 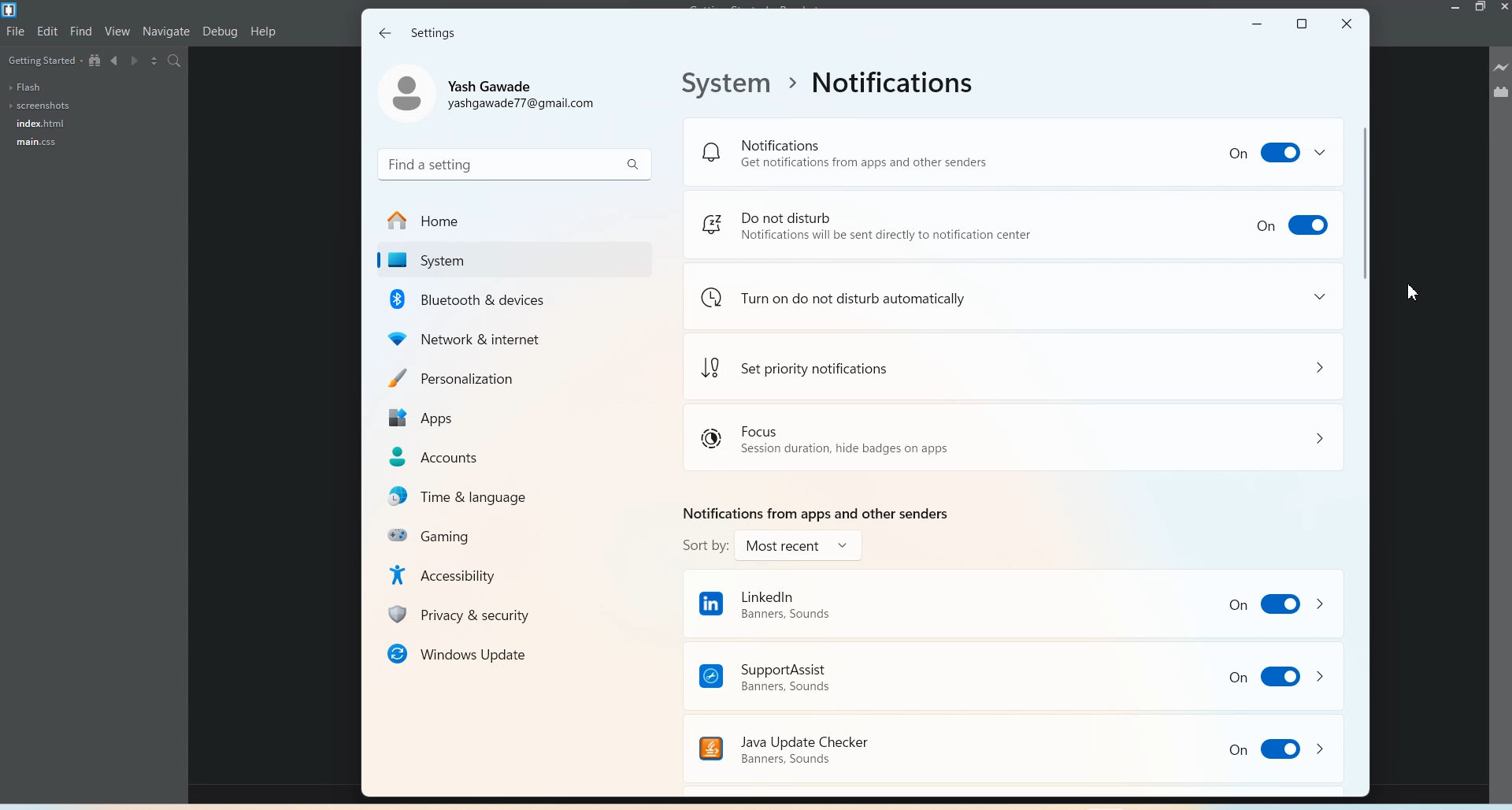 What do you see at coordinates (95, 60) in the screenshot?
I see `View in file tree` at bounding box center [95, 60].